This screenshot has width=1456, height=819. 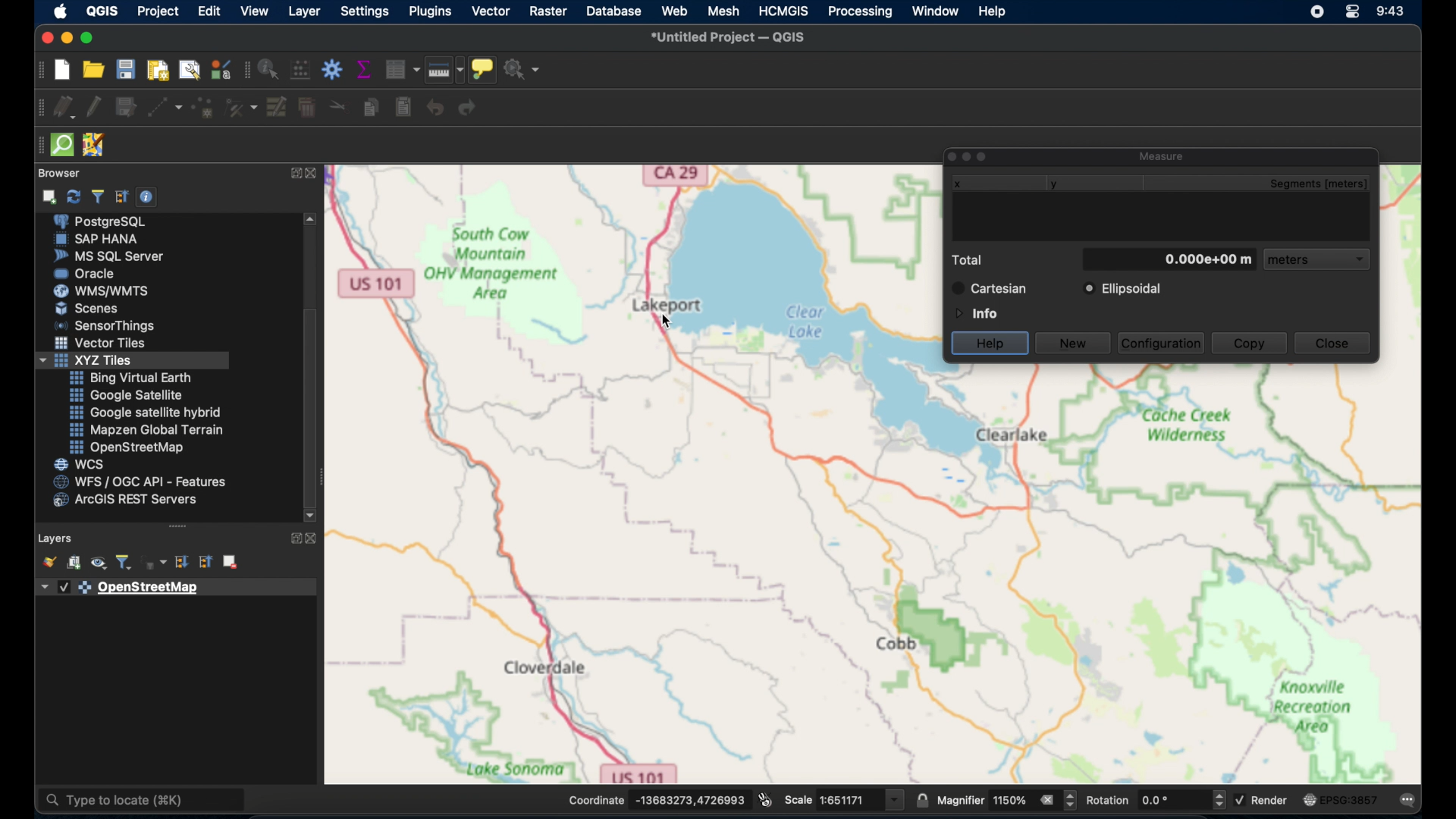 What do you see at coordinates (92, 105) in the screenshot?
I see `toggle editing` at bounding box center [92, 105].